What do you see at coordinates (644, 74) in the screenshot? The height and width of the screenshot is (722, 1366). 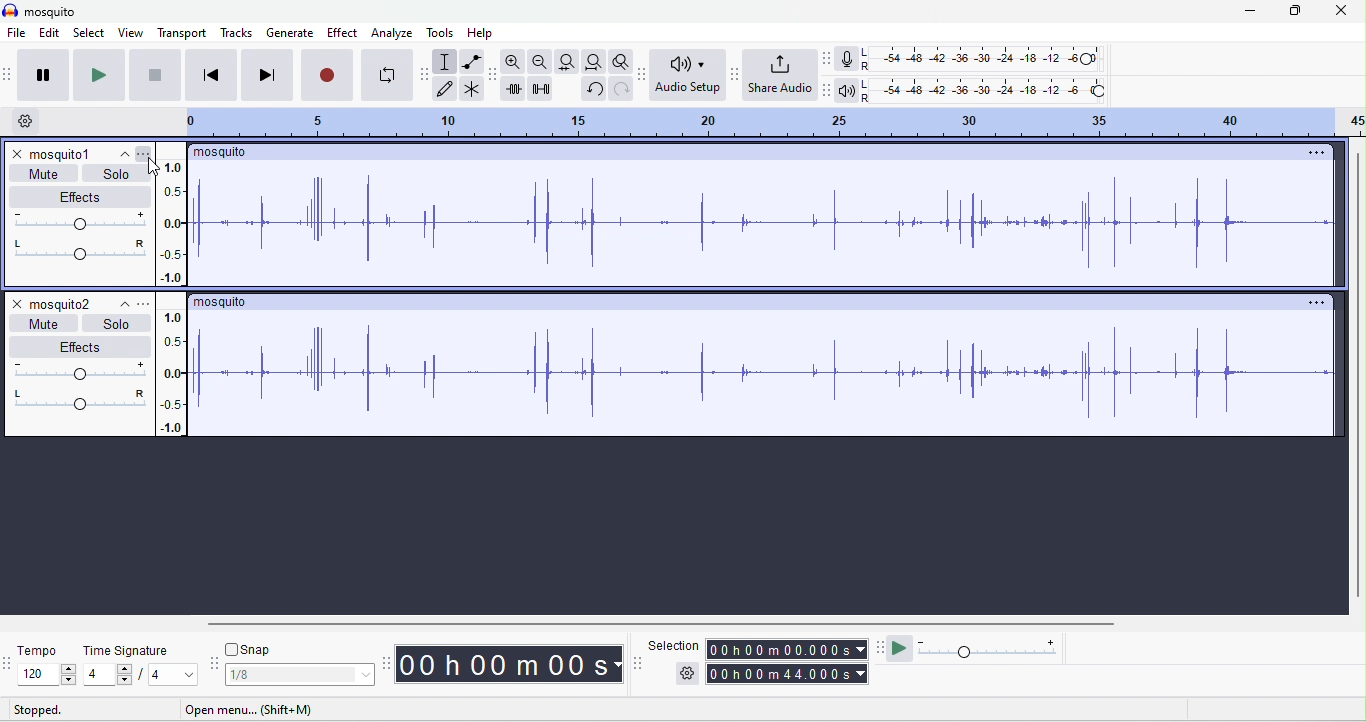 I see `audio set up tool bar` at bounding box center [644, 74].